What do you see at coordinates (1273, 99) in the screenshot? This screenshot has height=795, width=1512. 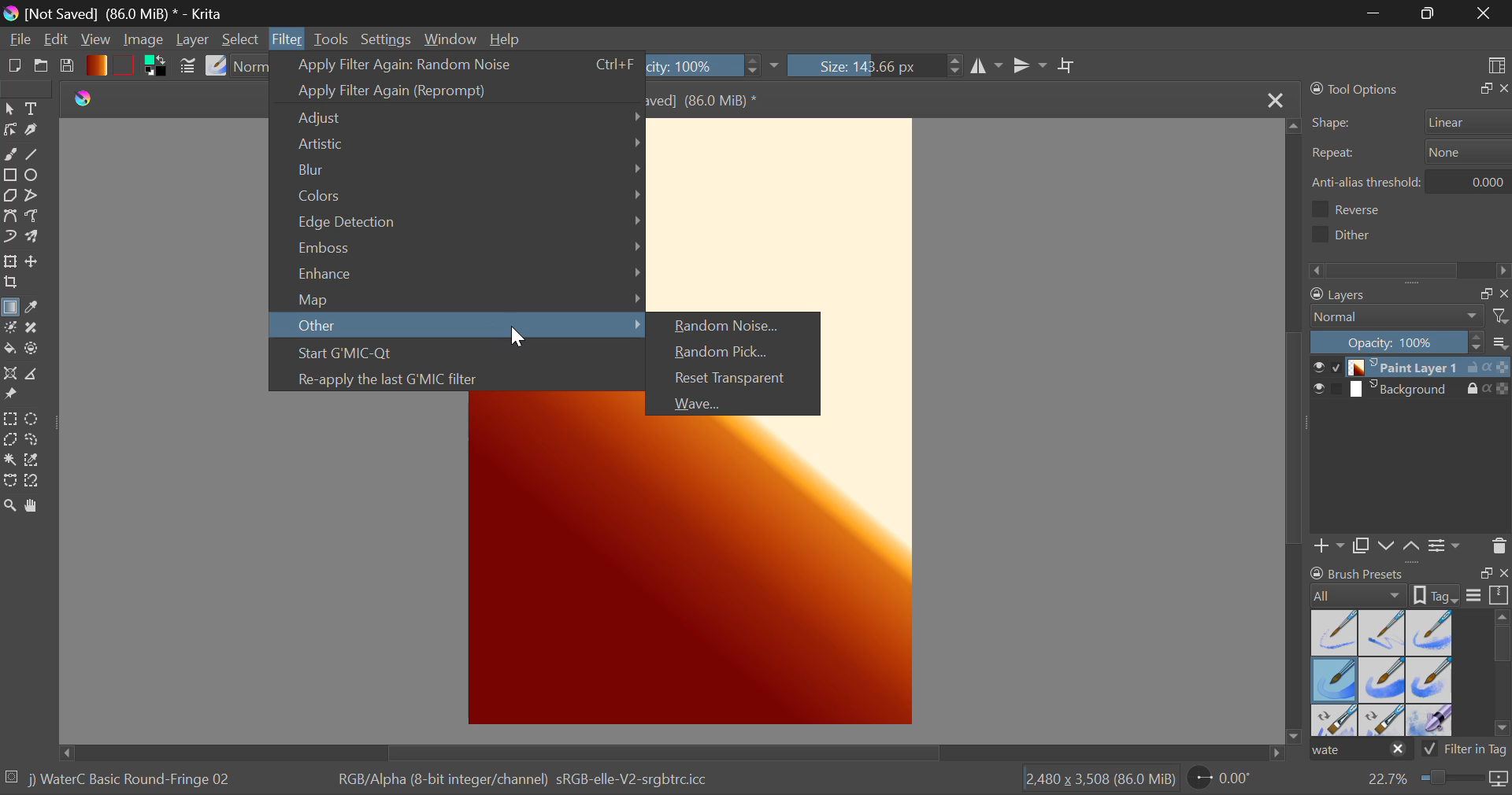 I see `Close Tab` at bounding box center [1273, 99].